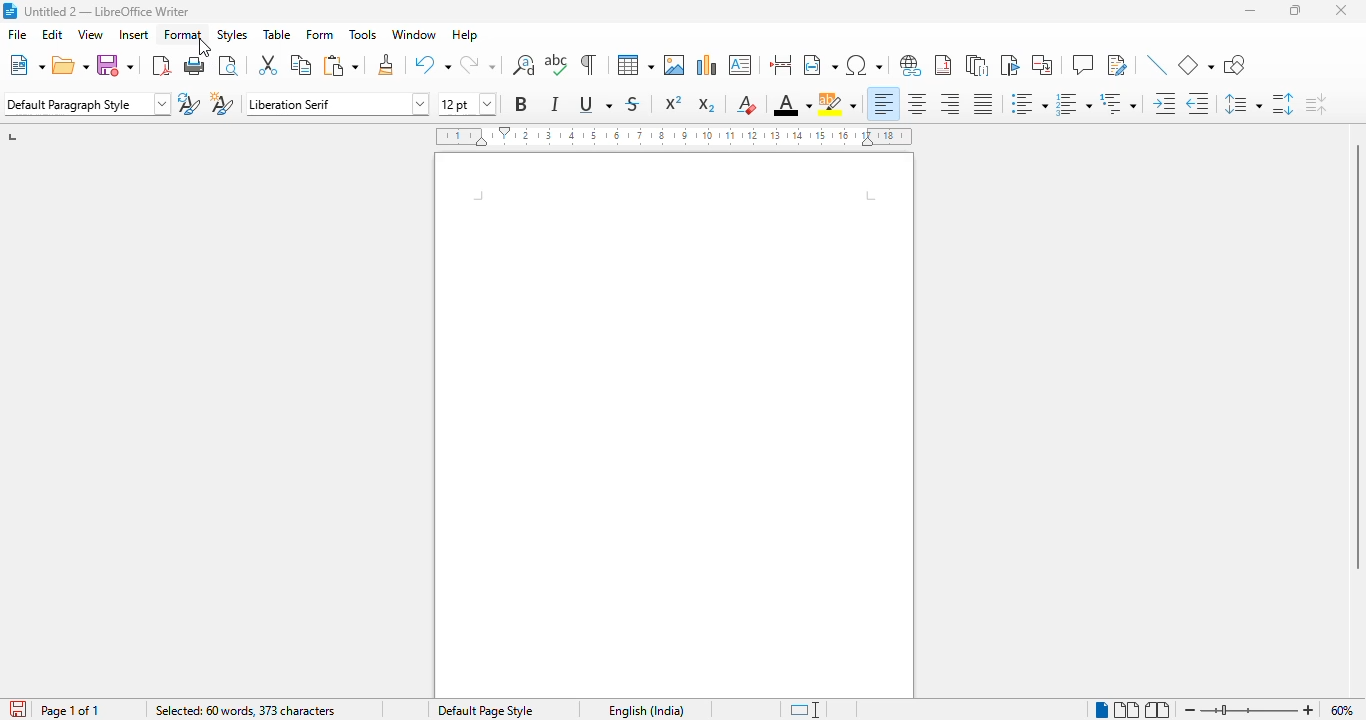 This screenshot has height=720, width=1366. Describe the element at coordinates (1195, 65) in the screenshot. I see `basic shapes` at that location.